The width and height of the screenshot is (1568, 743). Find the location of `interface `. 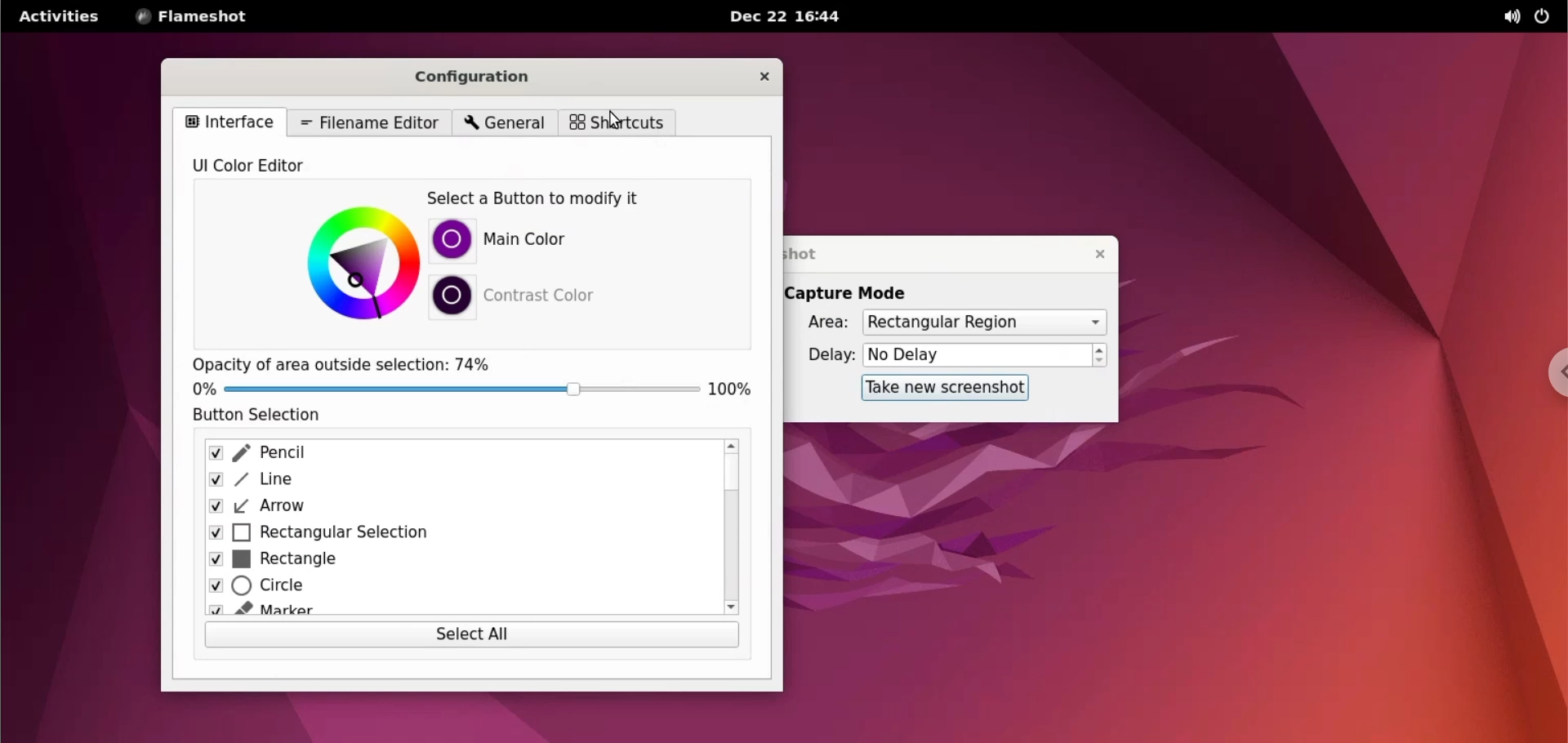

interface  is located at coordinates (229, 123).